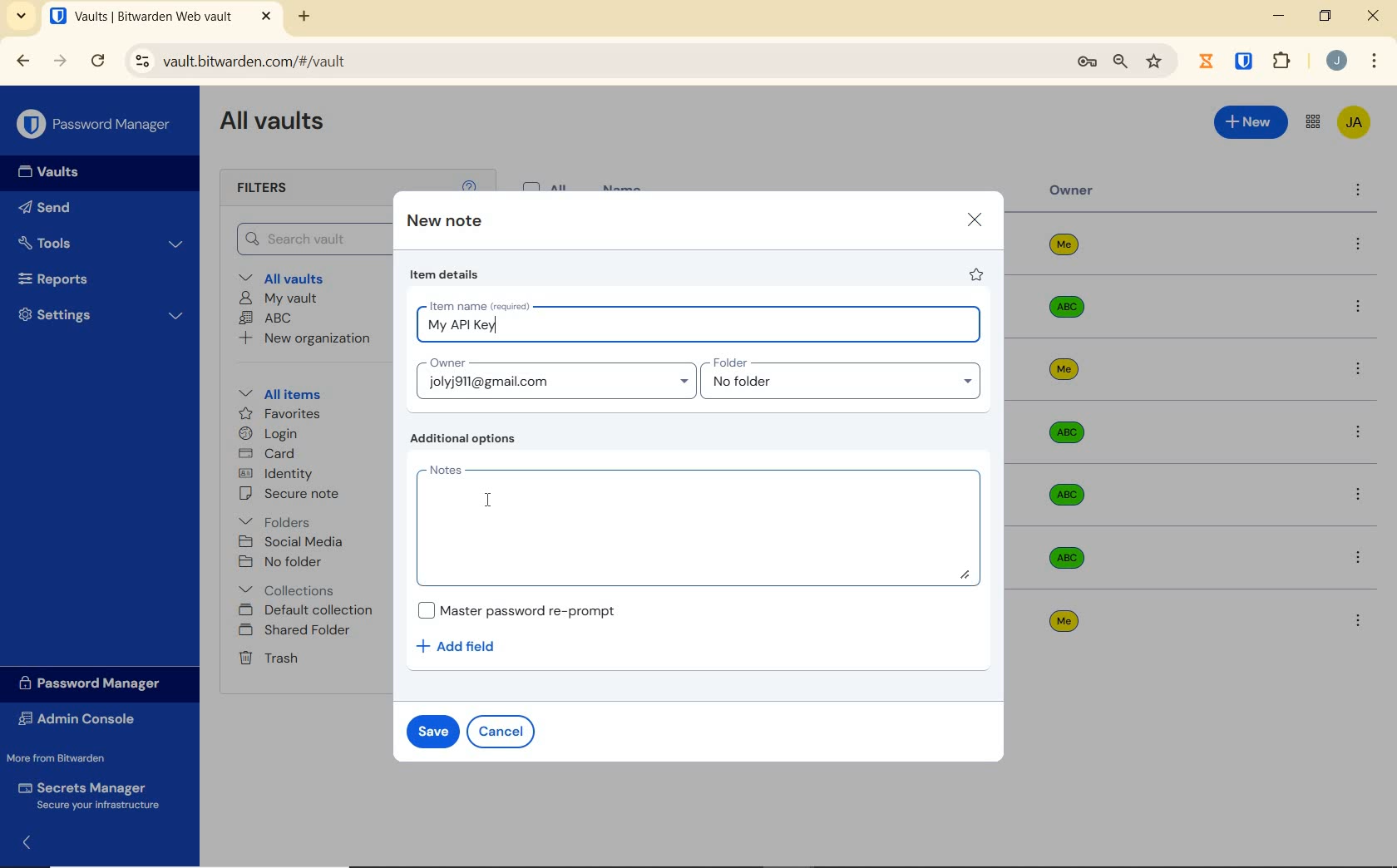 The height and width of the screenshot is (868, 1397). What do you see at coordinates (269, 454) in the screenshot?
I see `card` at bounding box center [269, 454].